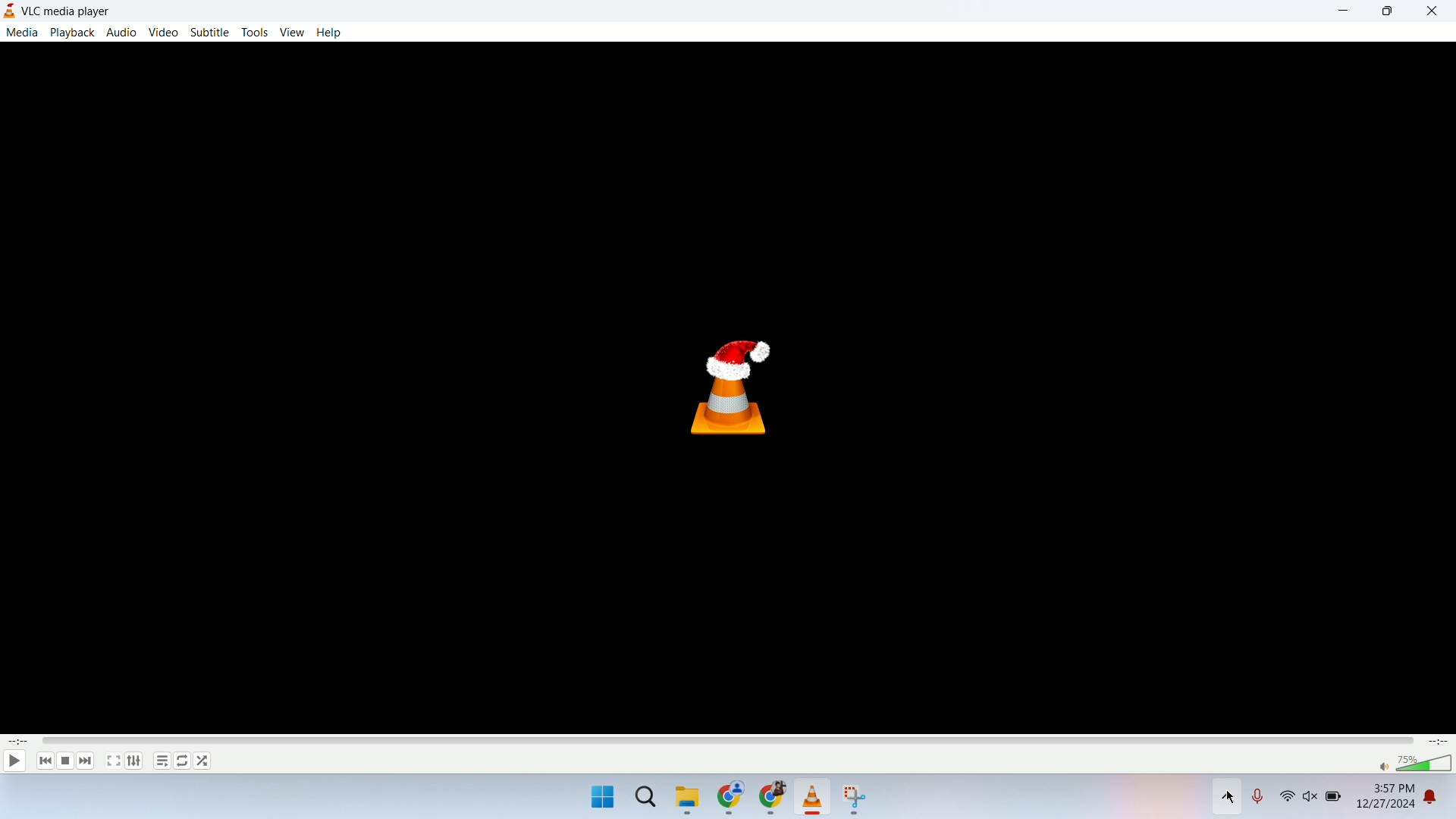 This screenshot has width=1456, height=819. Describe the element at coordinates (21, 32) in the screenshot. I see `media` at that location.